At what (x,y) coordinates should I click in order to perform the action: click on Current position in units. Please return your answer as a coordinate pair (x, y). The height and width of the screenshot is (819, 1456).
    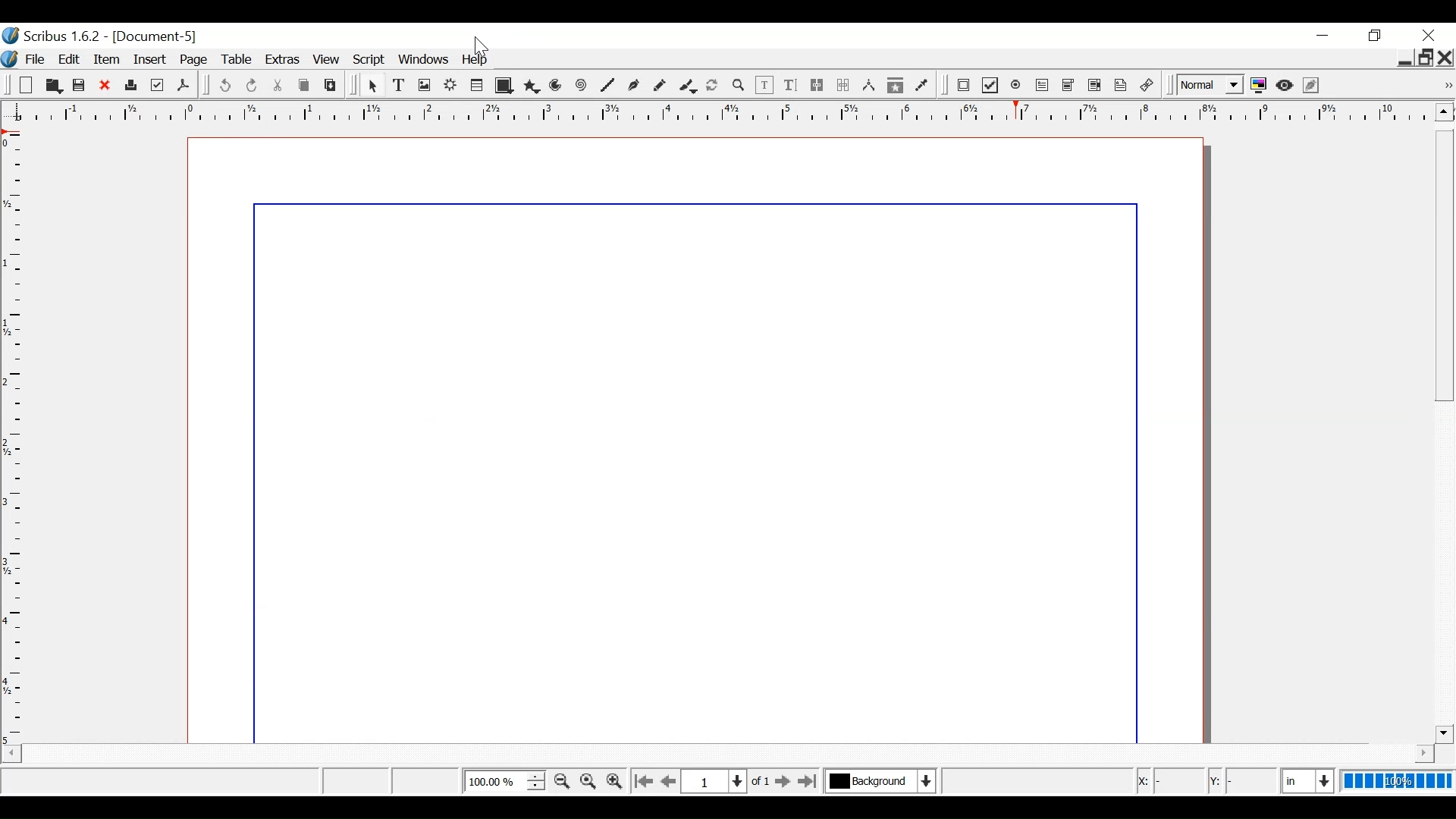
    Looking at the image, I should click on (1309, 779).